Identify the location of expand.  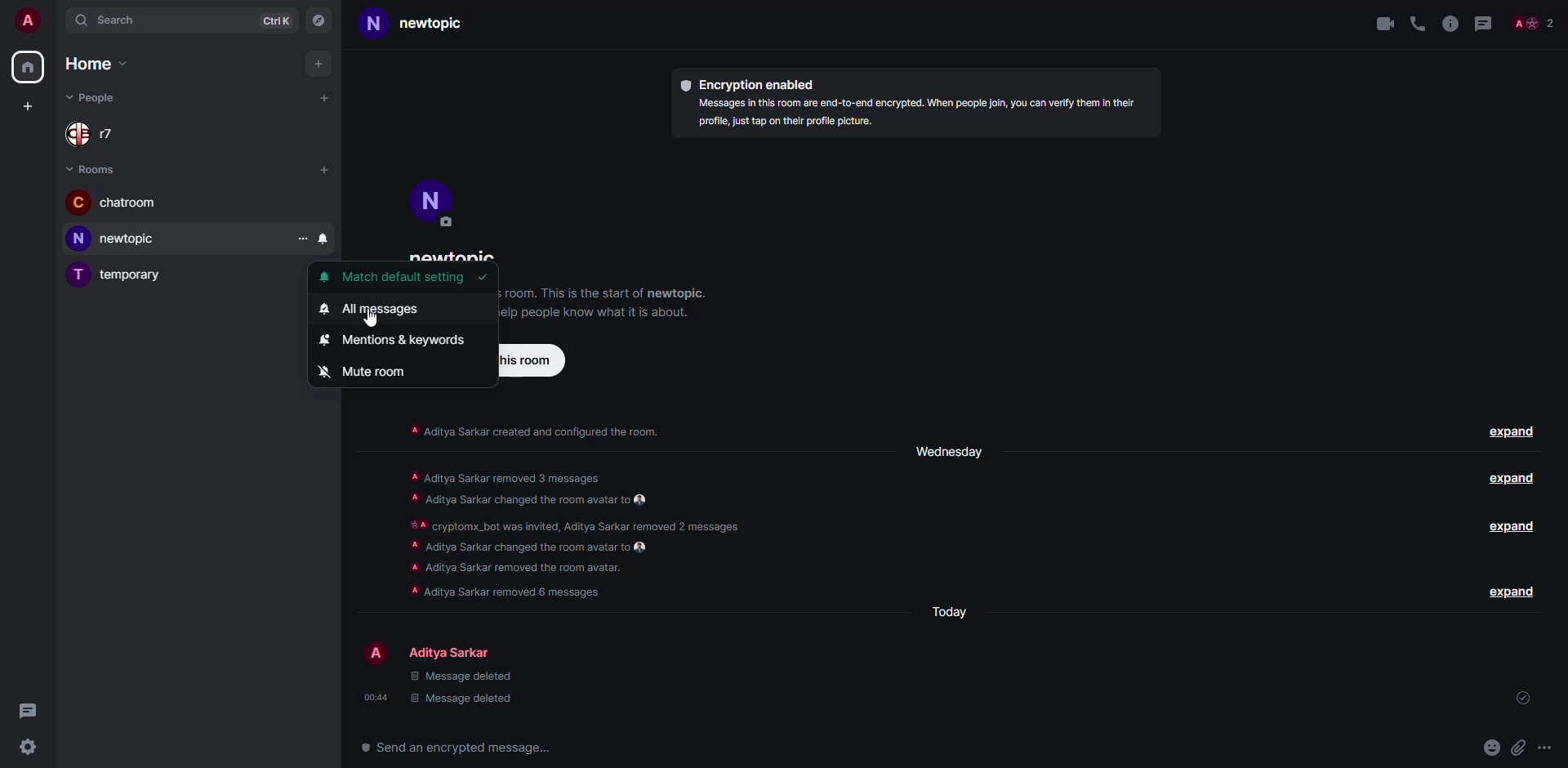
(1510, 527).